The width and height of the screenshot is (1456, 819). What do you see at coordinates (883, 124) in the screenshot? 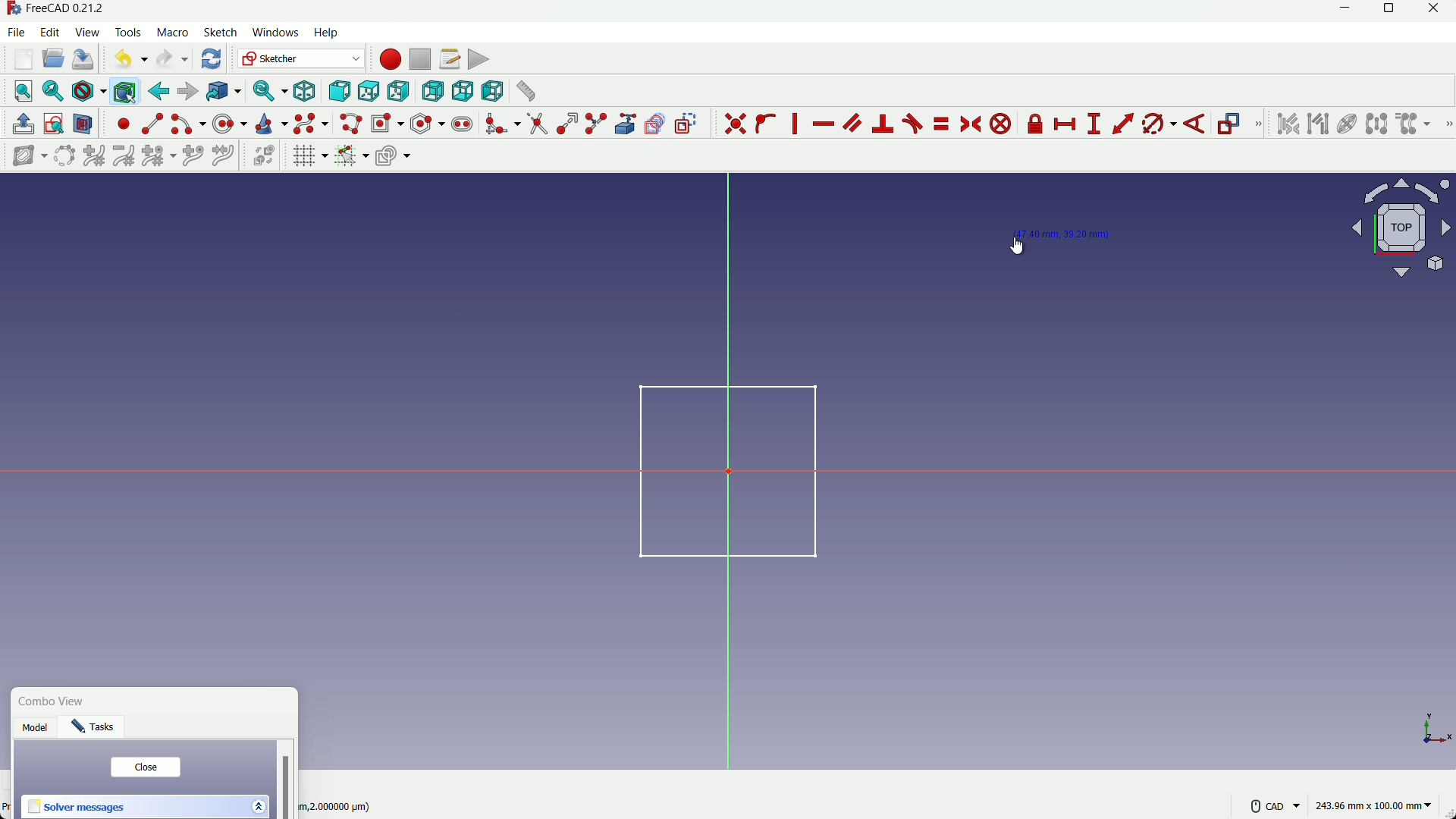
I see `constraint perpendicular` at bounding box center [883, 124].